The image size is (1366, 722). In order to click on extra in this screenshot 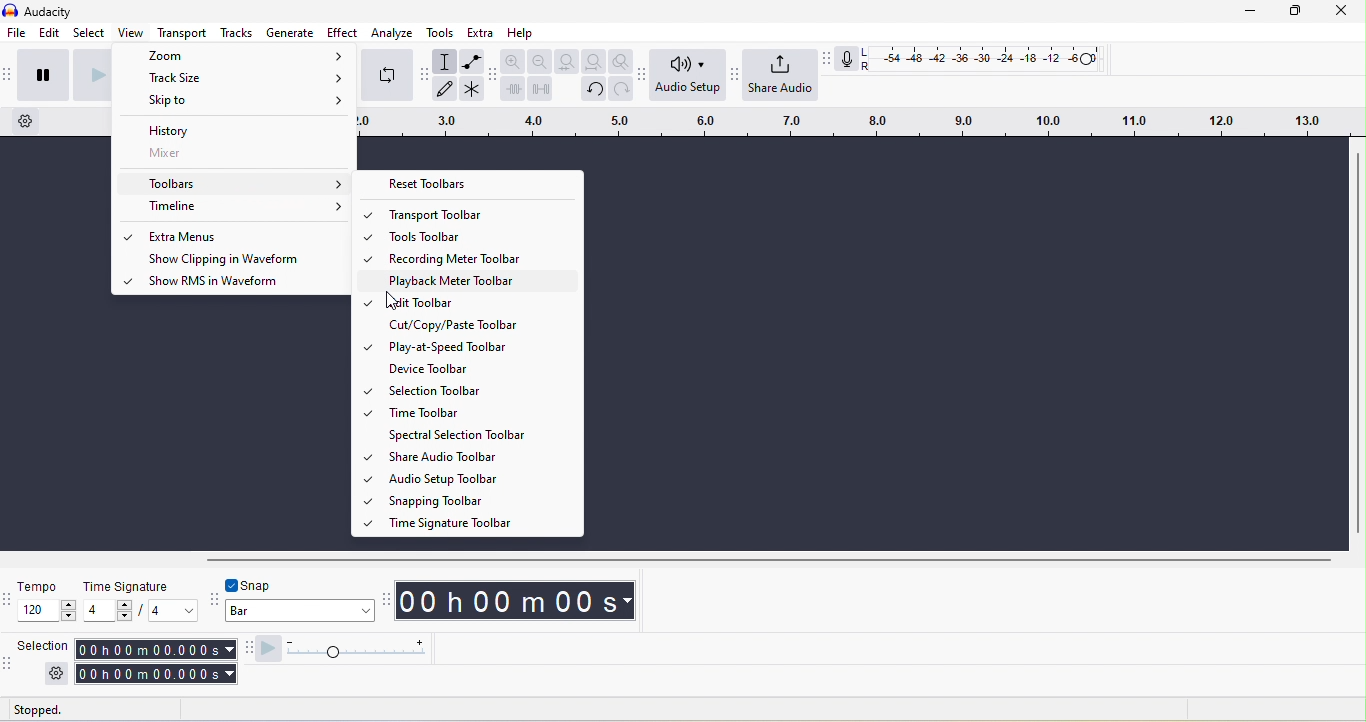, I will do `click(480, 32)`.